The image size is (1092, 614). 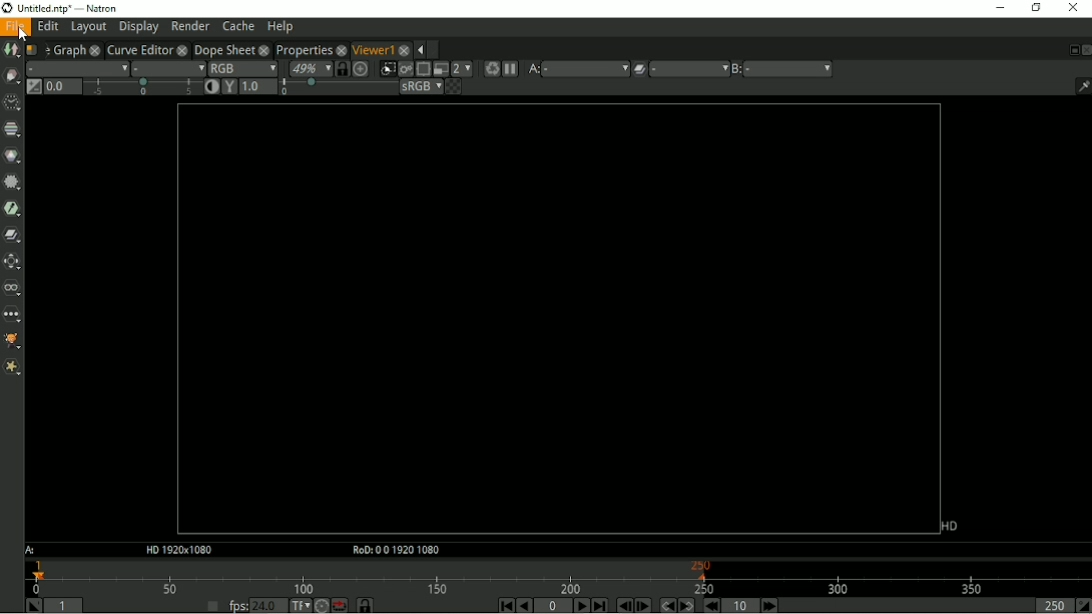 What do you see at coordinates (453, 86) in the screenshot?
I see `Checkerboard` at bounding box center [453, 86].